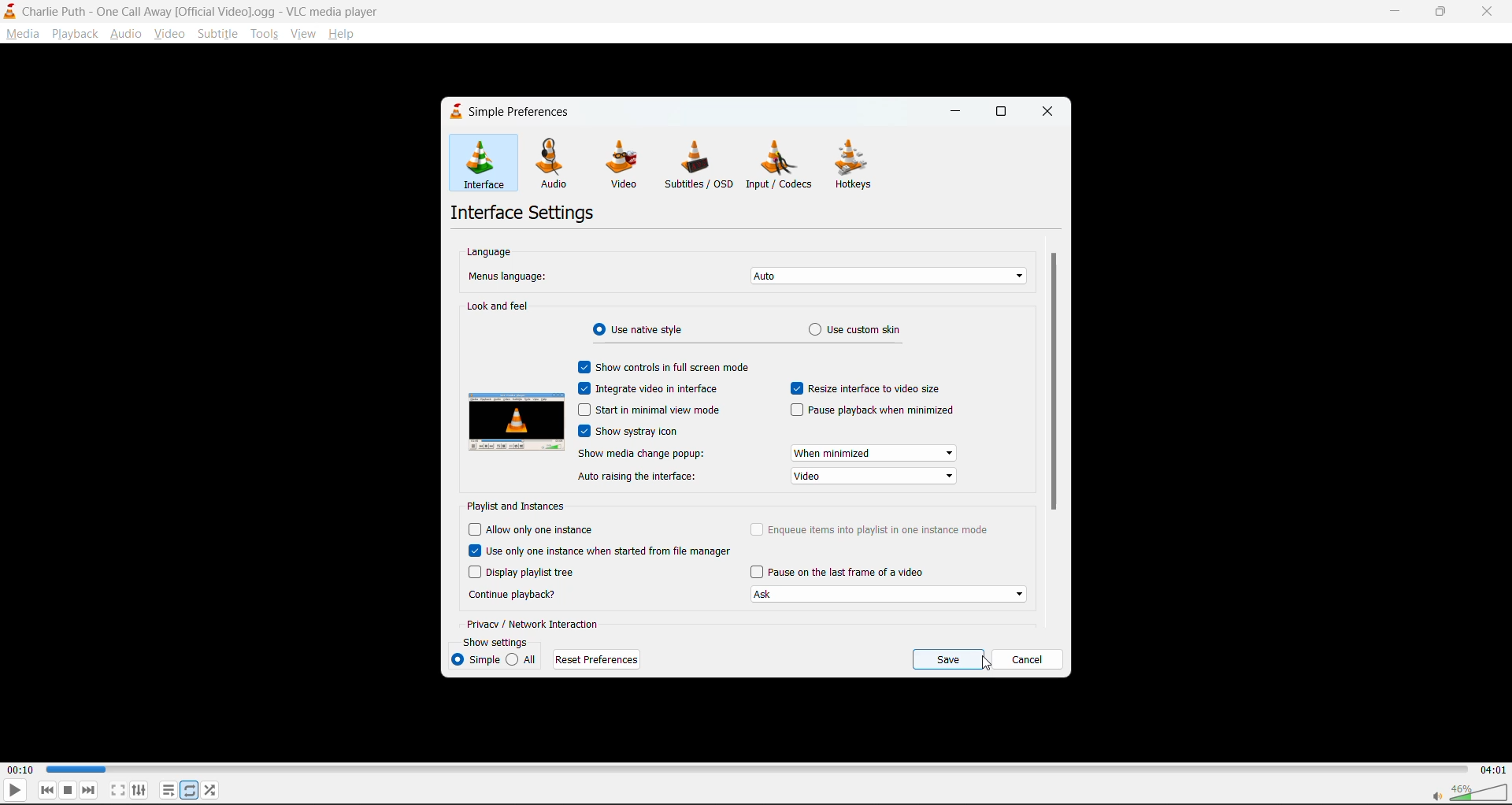 This screenshot has width=1512, height=805. I want to click on look and feel, so click(498, 305).